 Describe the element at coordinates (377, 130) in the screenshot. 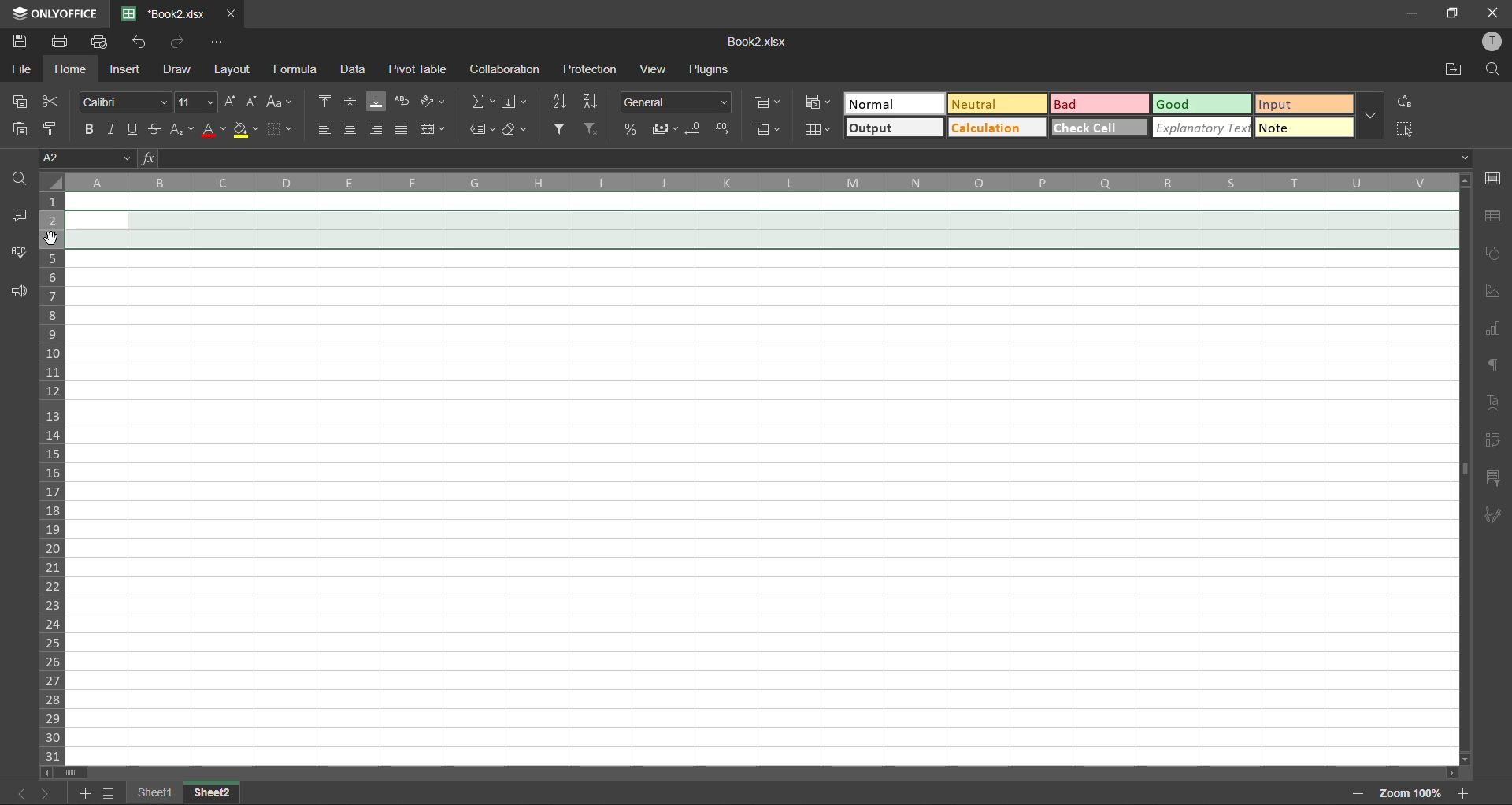

I see `align right` at that location.